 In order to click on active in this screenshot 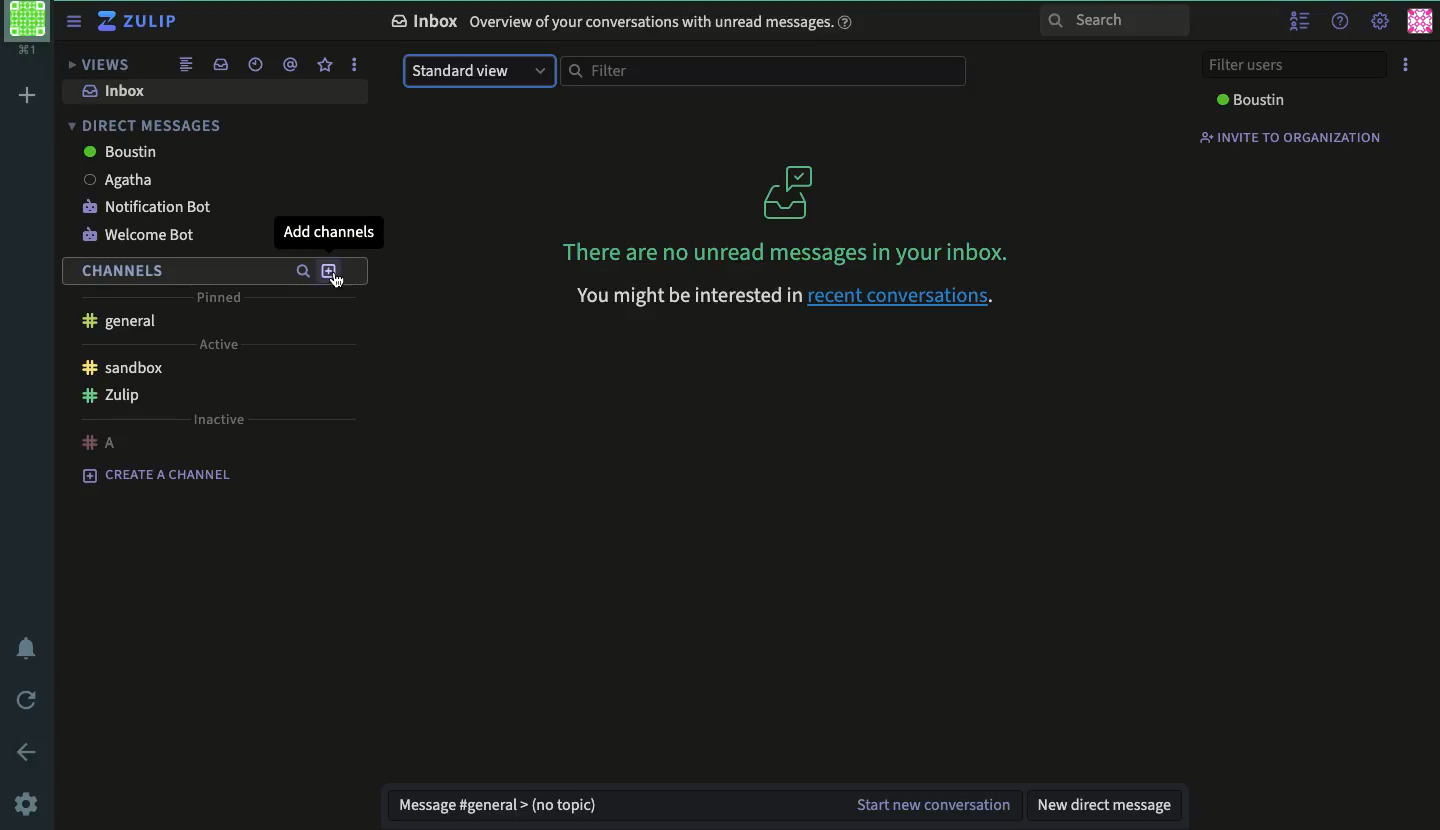, I will do `click(214, 343)`.